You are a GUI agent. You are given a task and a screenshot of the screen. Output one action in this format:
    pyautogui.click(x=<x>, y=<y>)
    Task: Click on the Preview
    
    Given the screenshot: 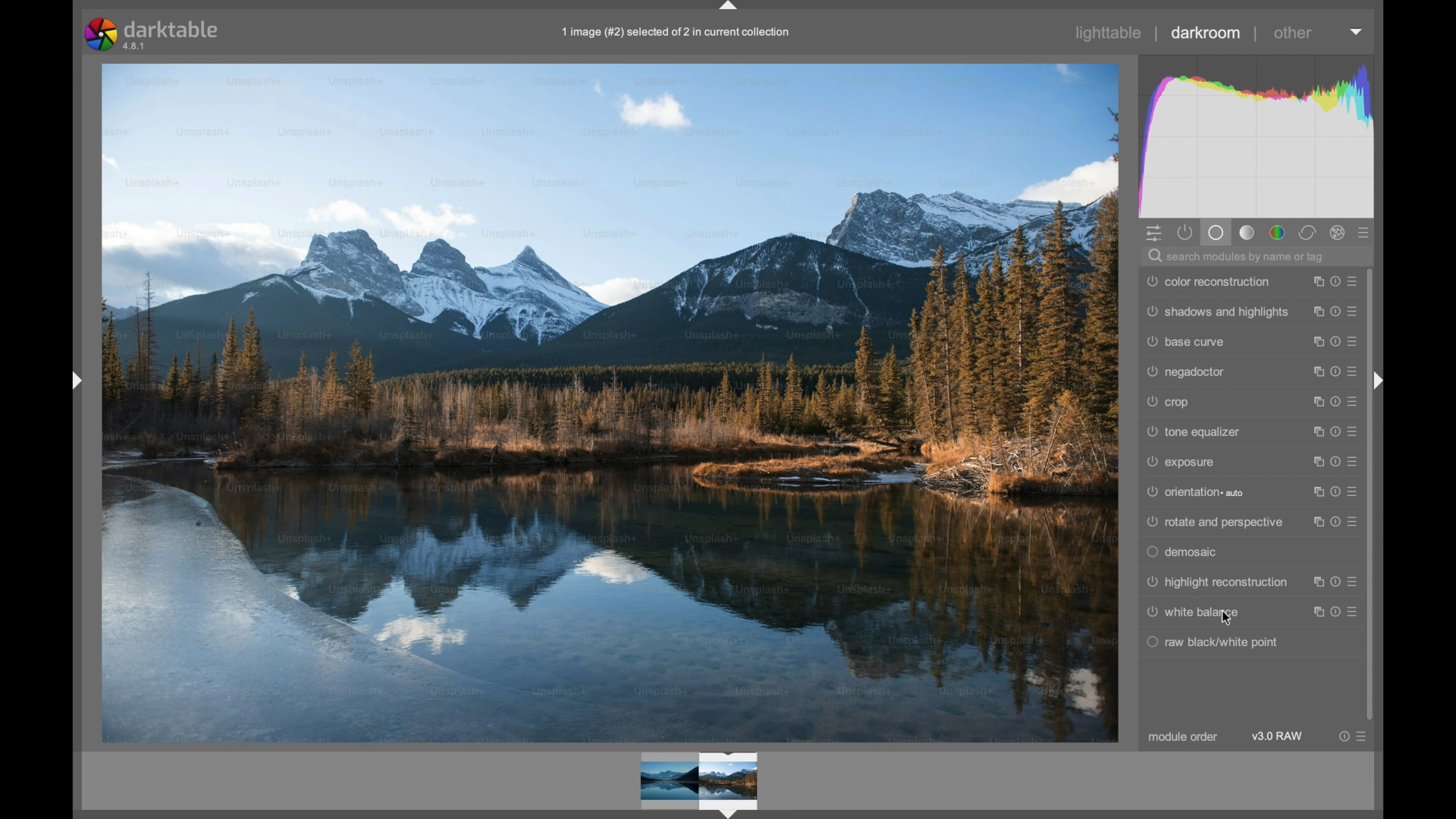 What is the action you would take?
    pyautogui.click(x=704, y=784)
    